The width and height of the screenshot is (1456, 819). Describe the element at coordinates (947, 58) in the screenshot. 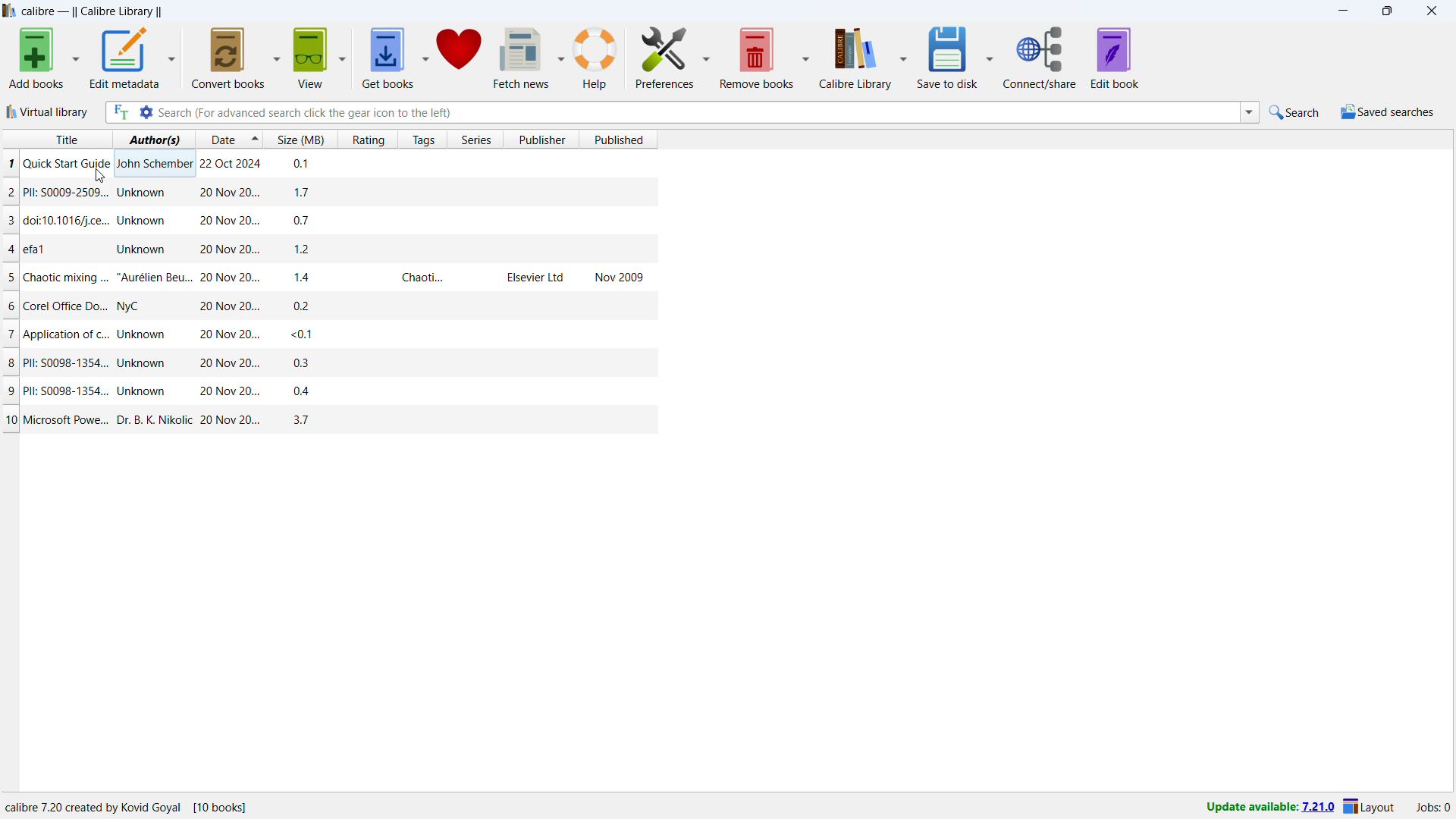

I see `save to disk` at that location.